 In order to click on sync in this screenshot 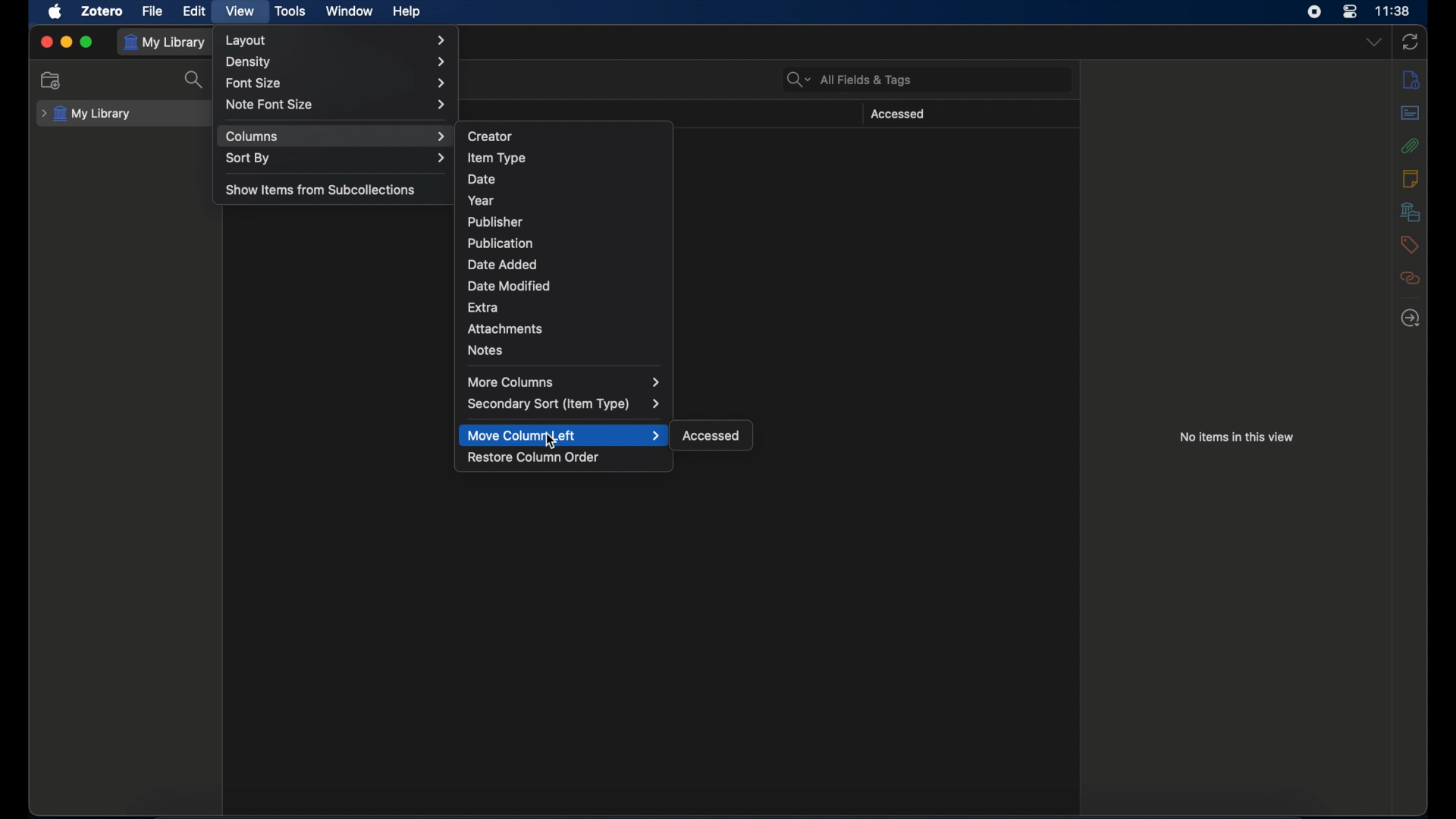, I will do `click(1410, 43)`.